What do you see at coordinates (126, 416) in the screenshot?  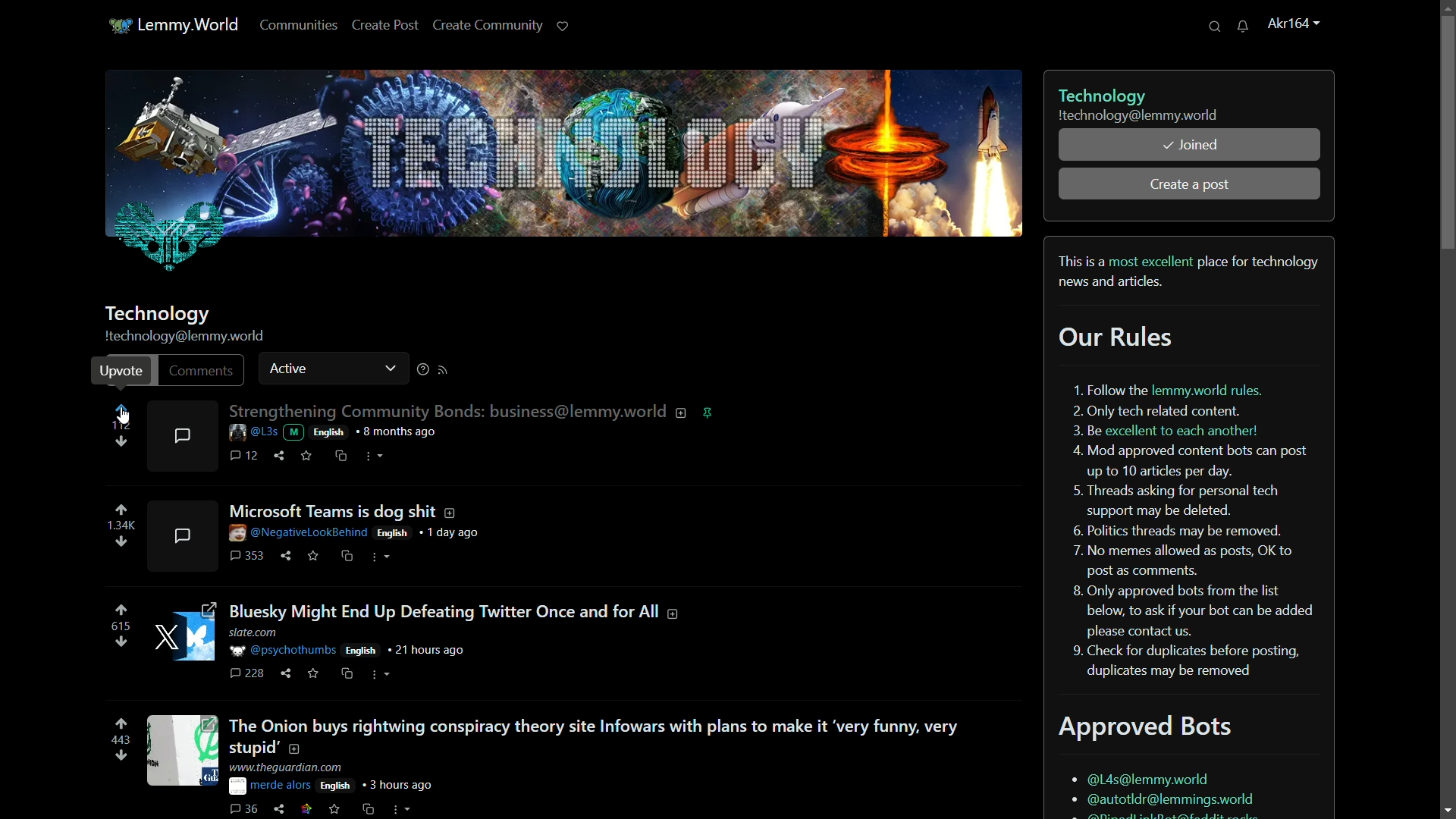 I see `cursor` at bounding box center [126, 416].